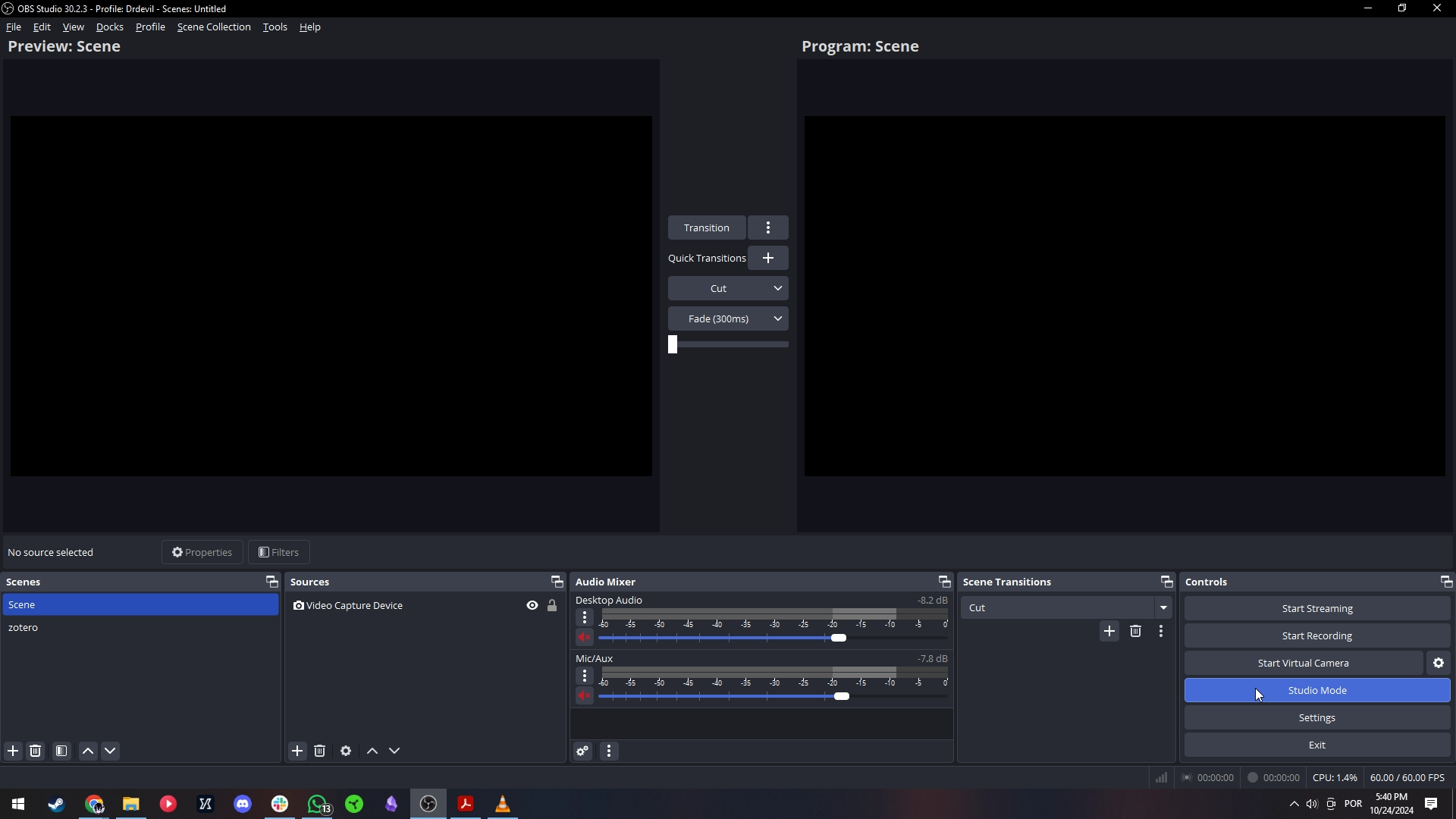 The height and width of the screenshot is (819, 1456). Describe the element at coordinates (1310, 582) in the screenshot. I see `Controls` at that location.